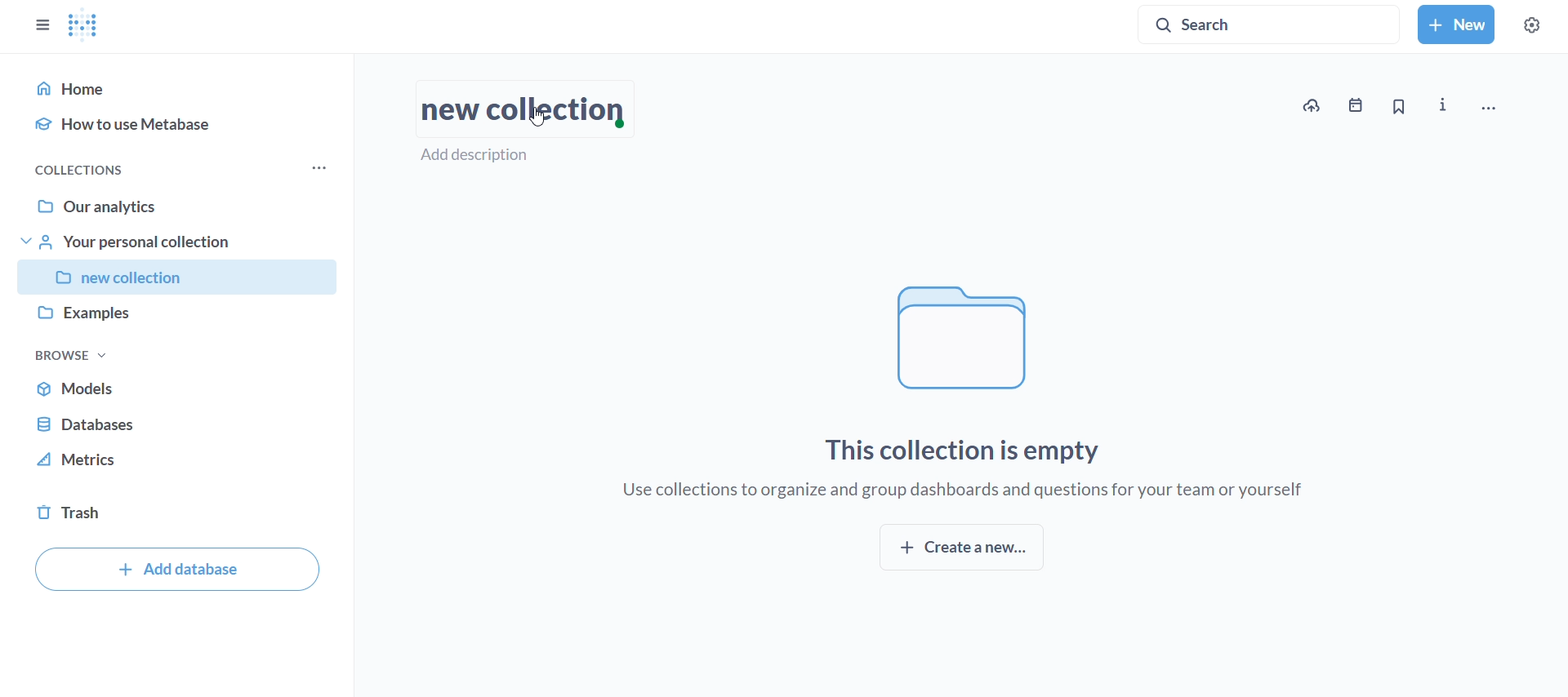 The height and width of the screenshot is (697, 1568). Describe the element at coordinates (1359, 105) in the screenshot. I see `events` at that location.